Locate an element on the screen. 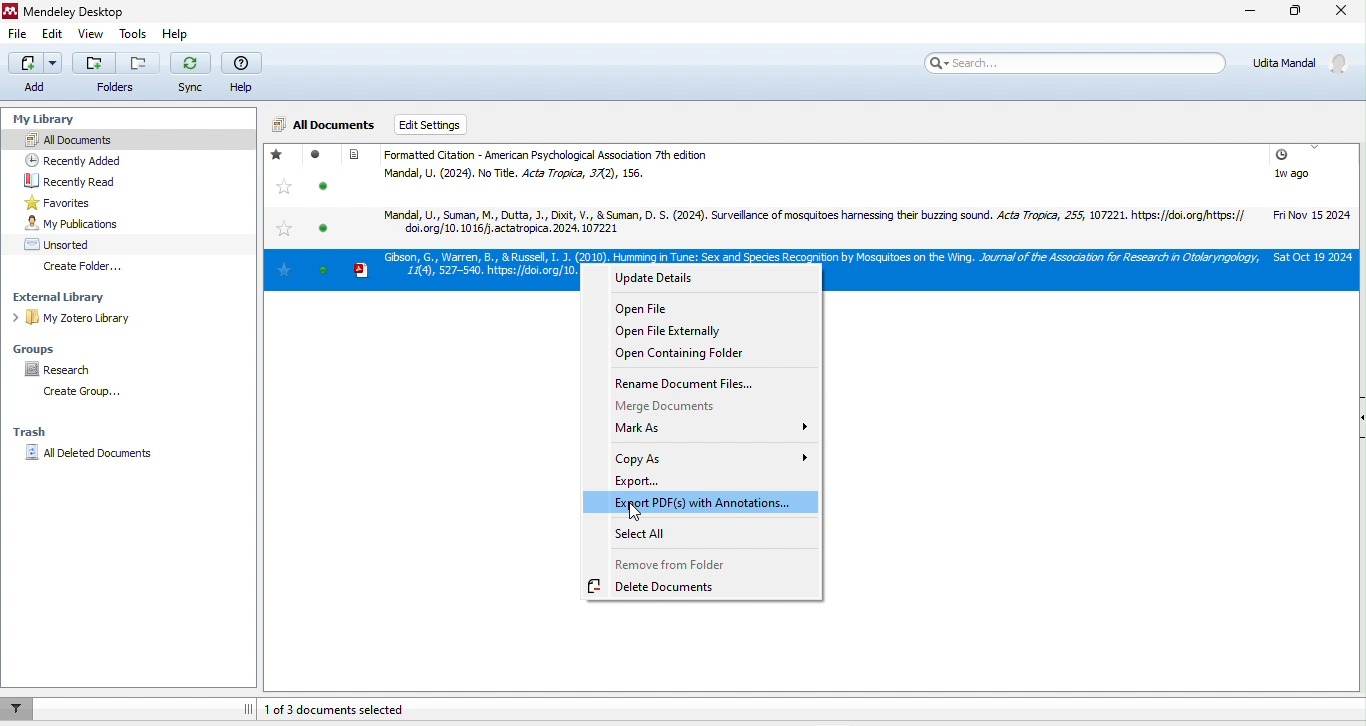 The height and width of the screenshot is (726, 1366). edit settings is located at coordinates (436, 114).